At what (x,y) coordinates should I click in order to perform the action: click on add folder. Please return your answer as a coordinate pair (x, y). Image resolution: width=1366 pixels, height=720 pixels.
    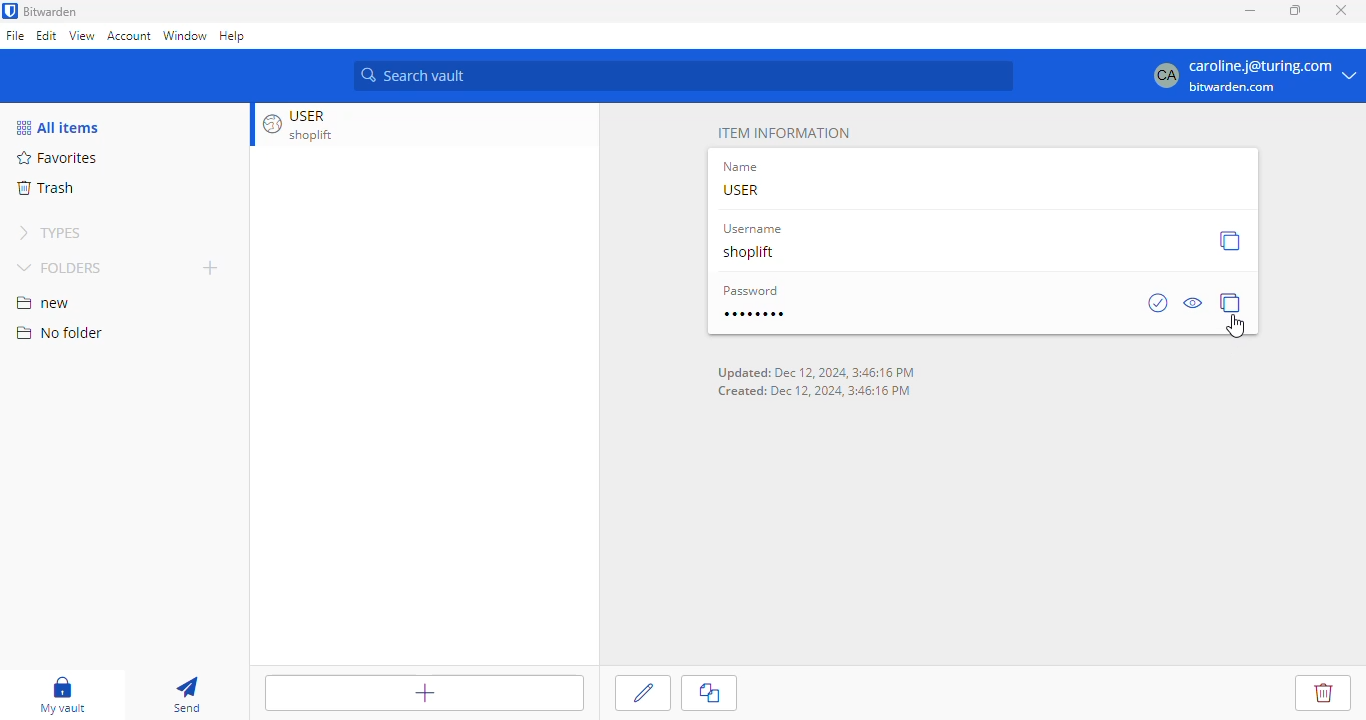
    Looking at the image, I should click on (210, 267).